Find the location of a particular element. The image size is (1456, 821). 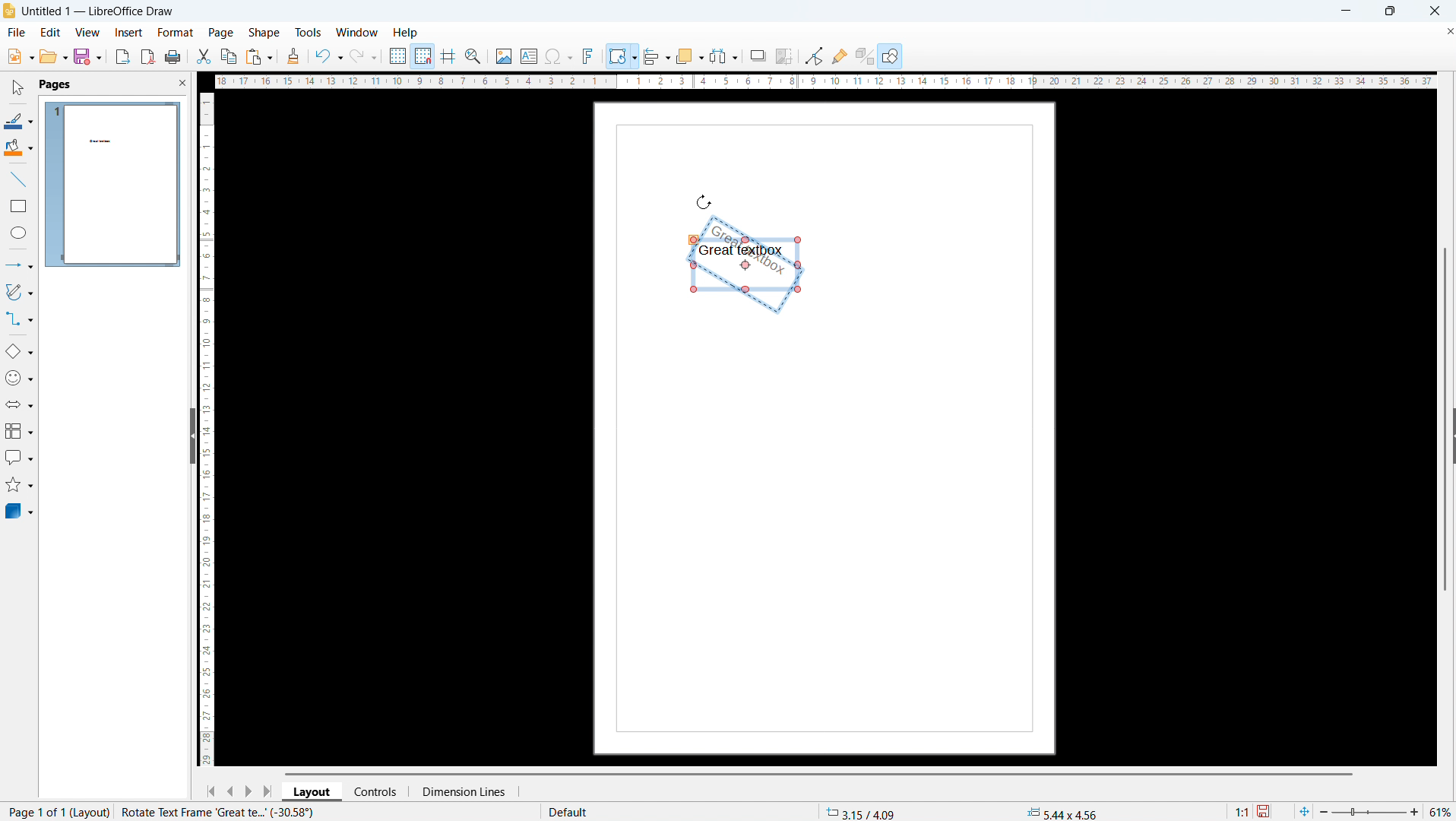

cursor coordinates is located at coordinates (863, 811).